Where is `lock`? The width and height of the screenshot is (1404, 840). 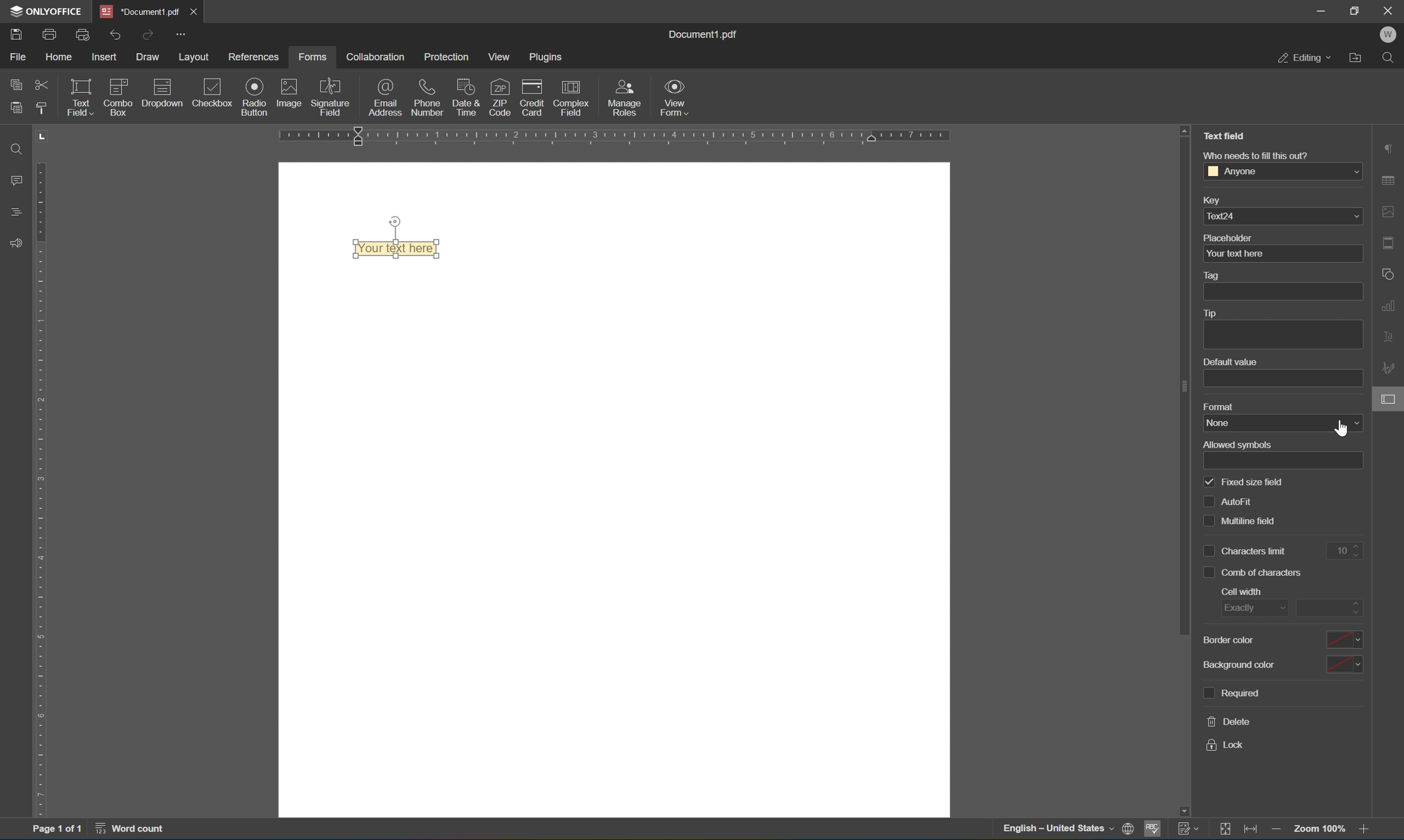
lock is located at coordinates (1225, 745).